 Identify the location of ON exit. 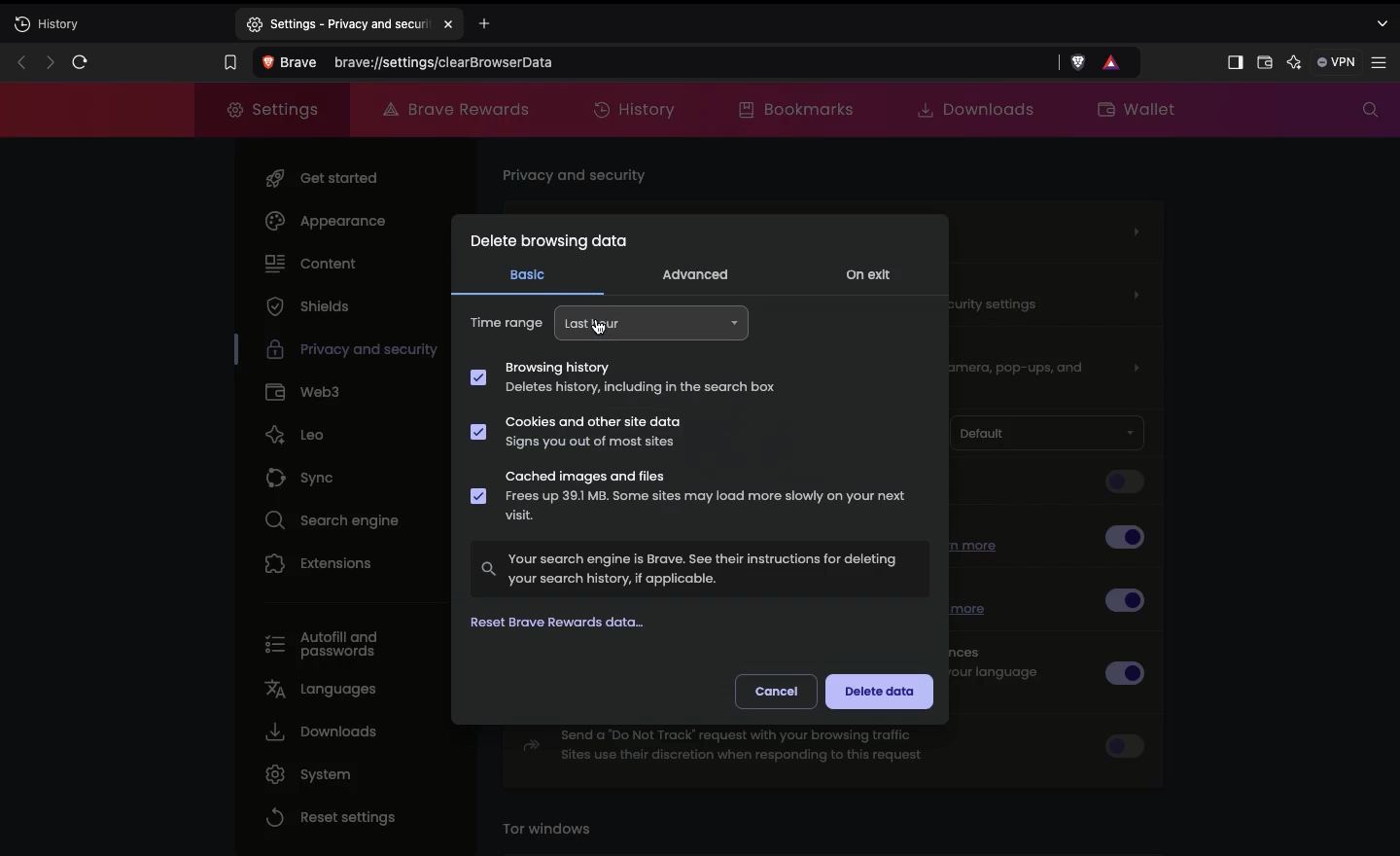
(872, 277).